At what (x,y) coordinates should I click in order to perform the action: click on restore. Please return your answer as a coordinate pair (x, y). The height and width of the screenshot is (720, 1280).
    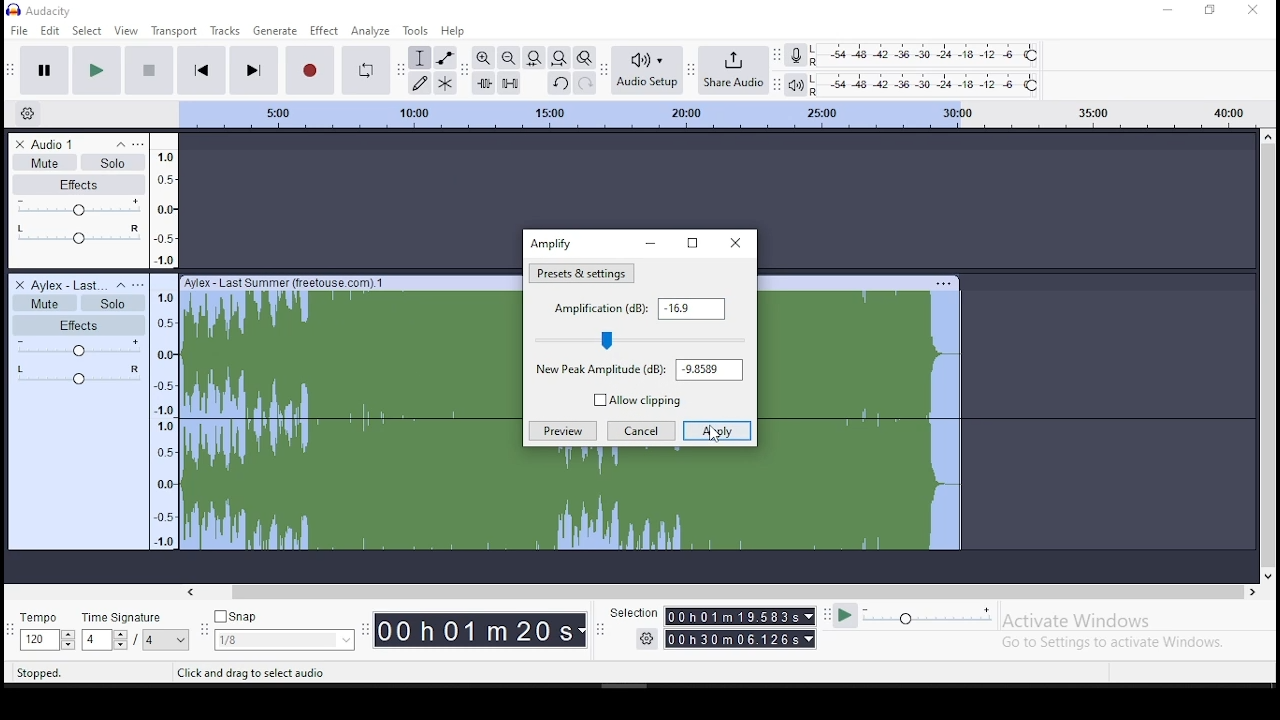
    Looking at the image, I should click on (692, 242).